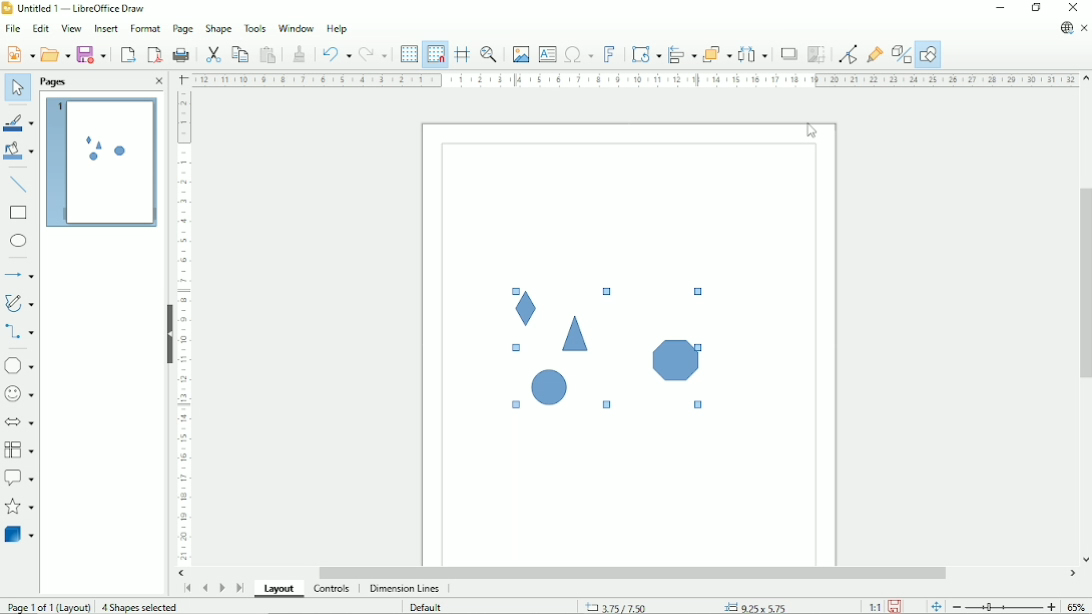 Image resolution: width=1092 pixels, height=614 pixels. I want to click on Close, so click(156, 81).